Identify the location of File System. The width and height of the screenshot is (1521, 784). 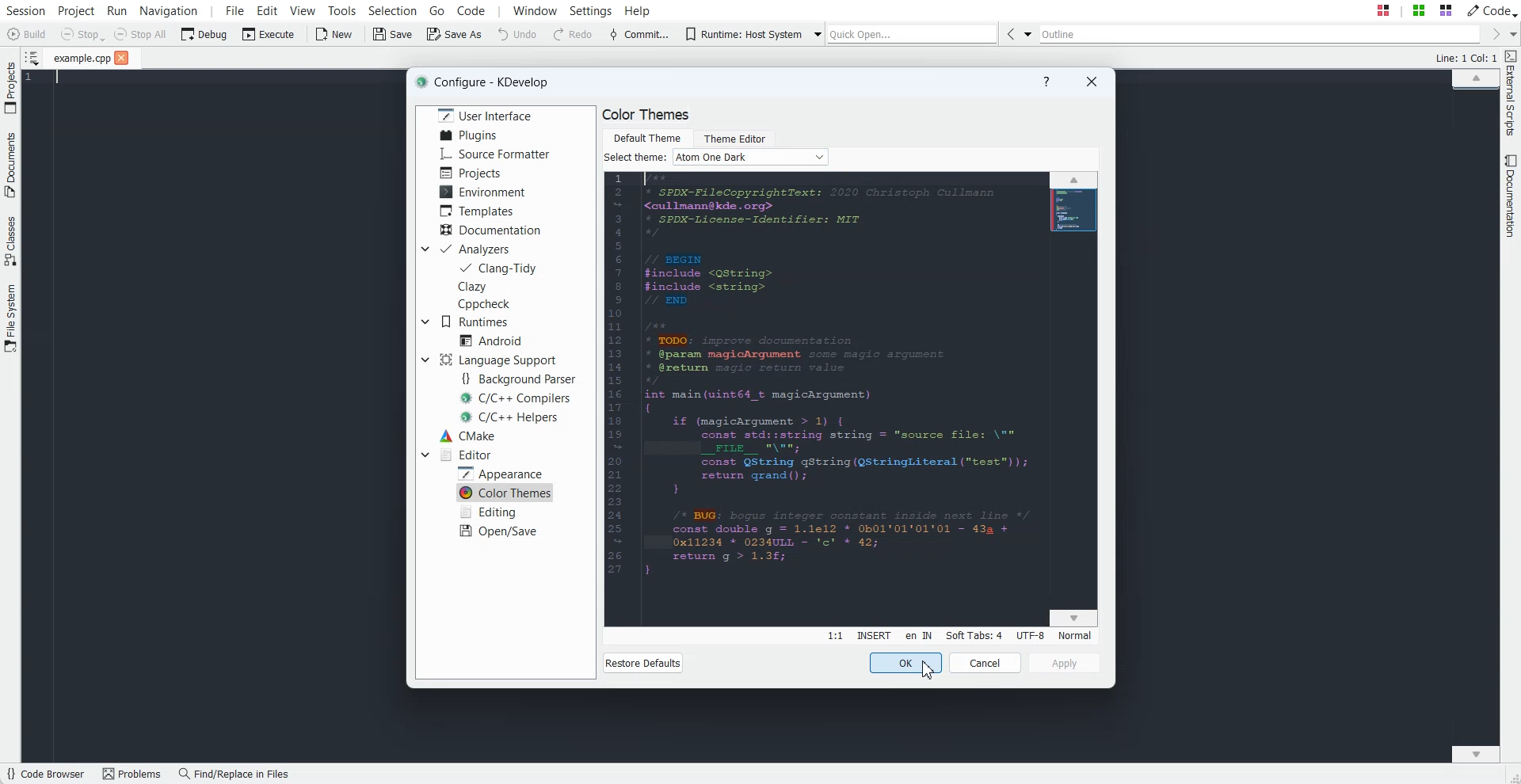
(10, 318).